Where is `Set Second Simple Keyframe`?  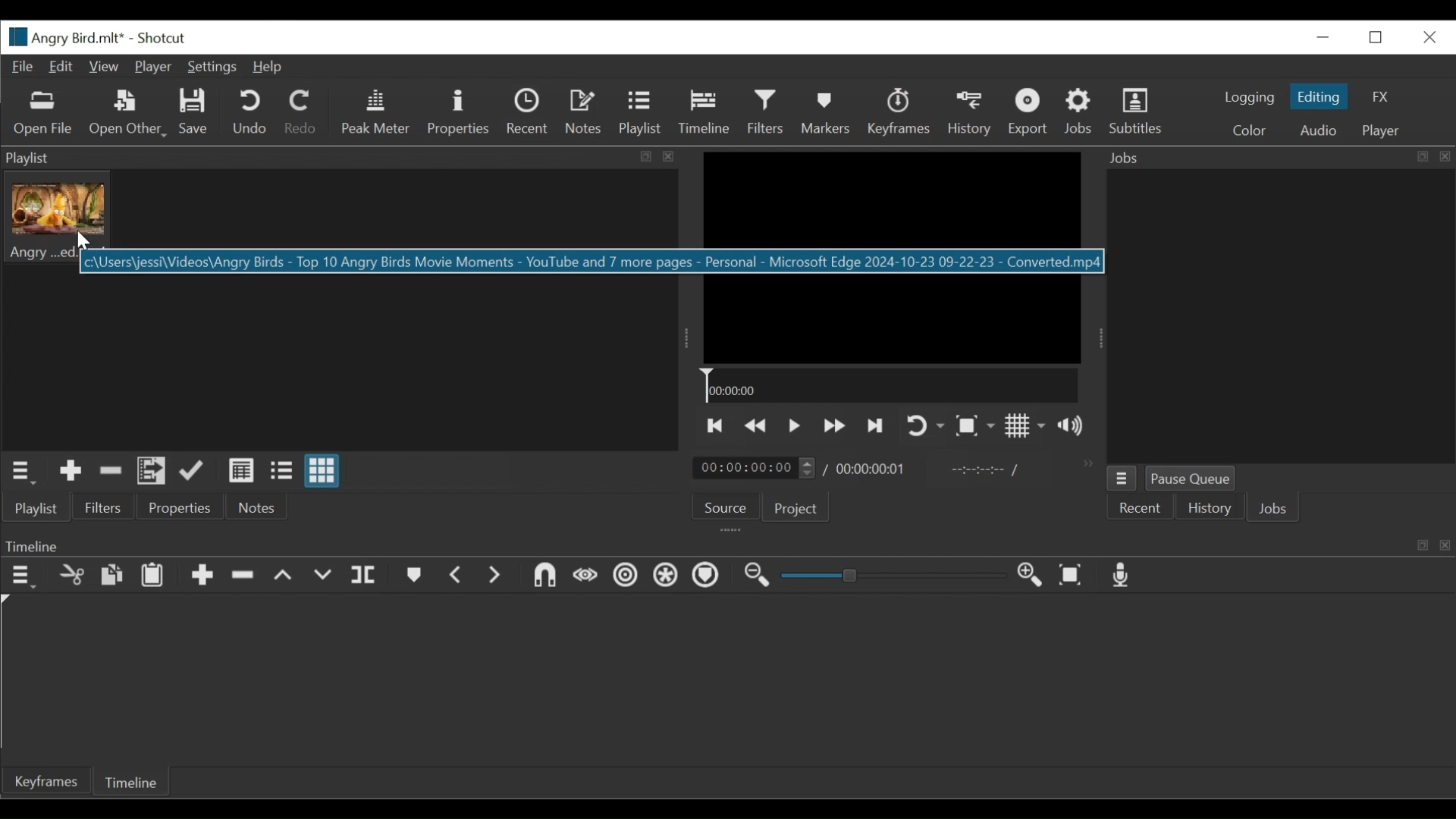 Set Second Simple Keyframe is located at coordinates (620, 578).